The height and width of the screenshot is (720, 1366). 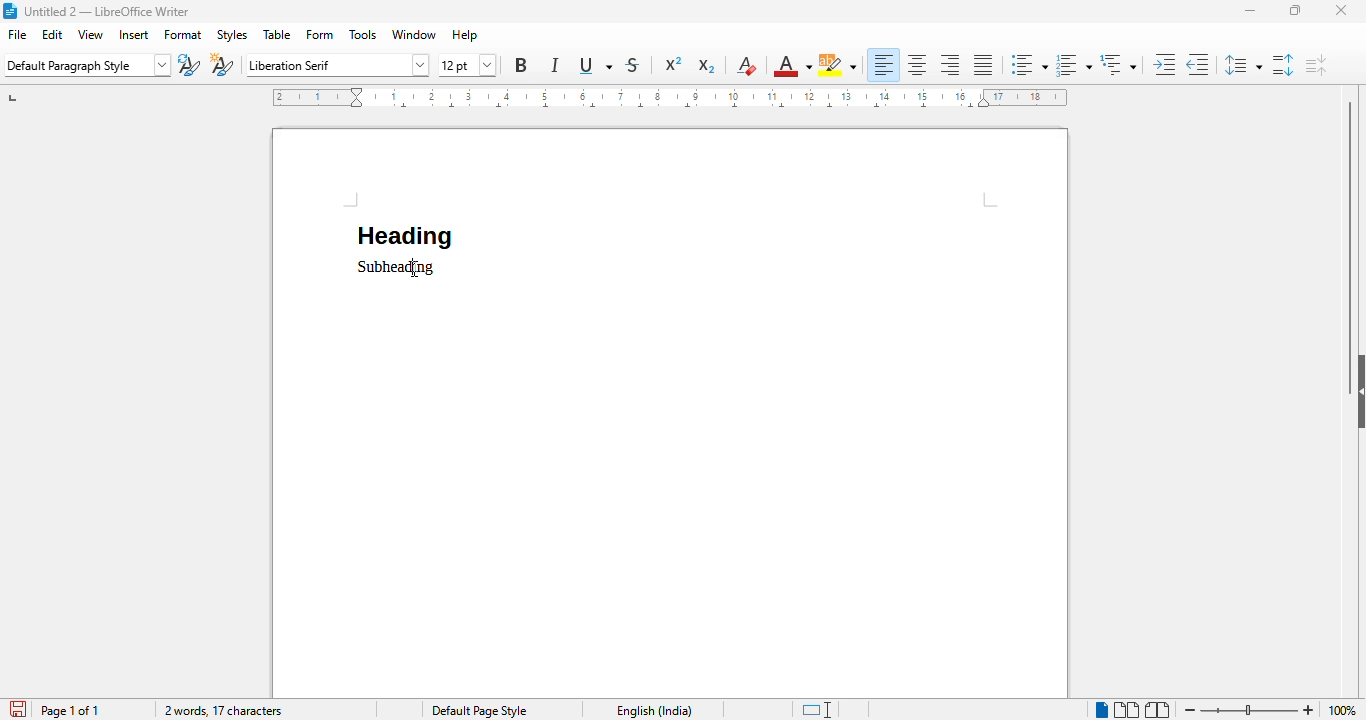 I want to click on font name, so click(x=338, y=65).